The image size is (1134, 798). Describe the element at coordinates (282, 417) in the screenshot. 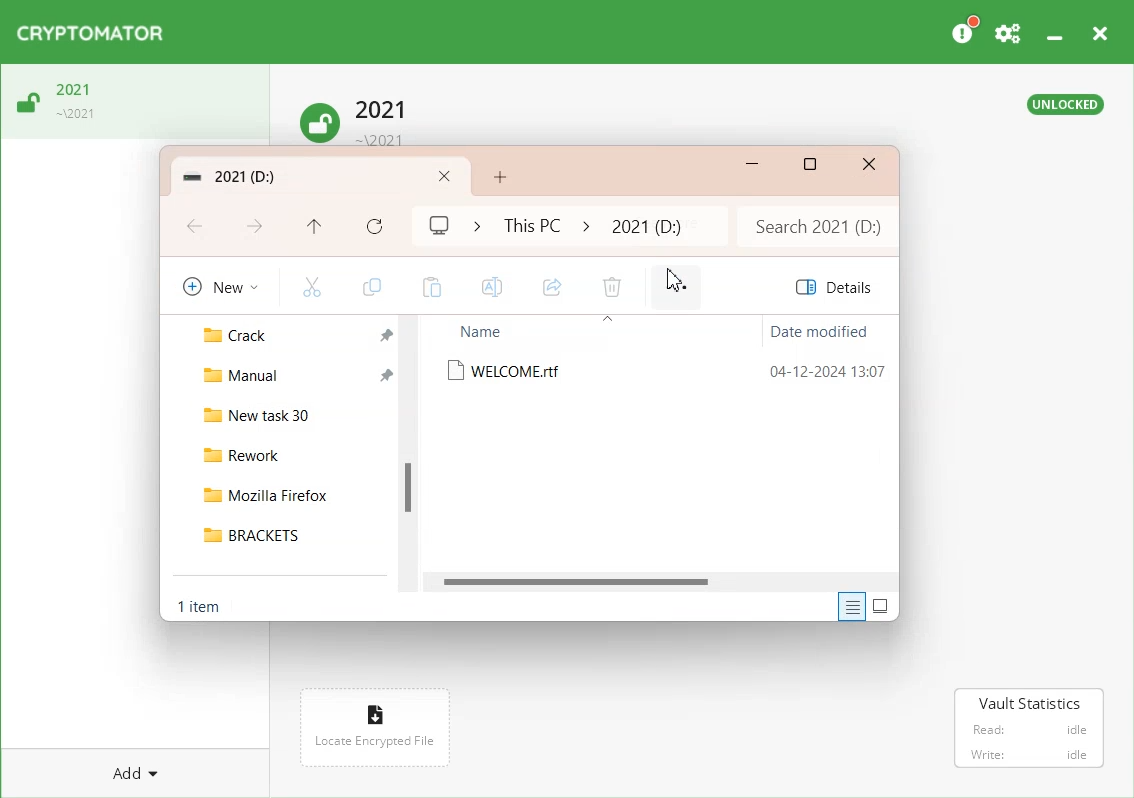

I see `New task 30` at that location.